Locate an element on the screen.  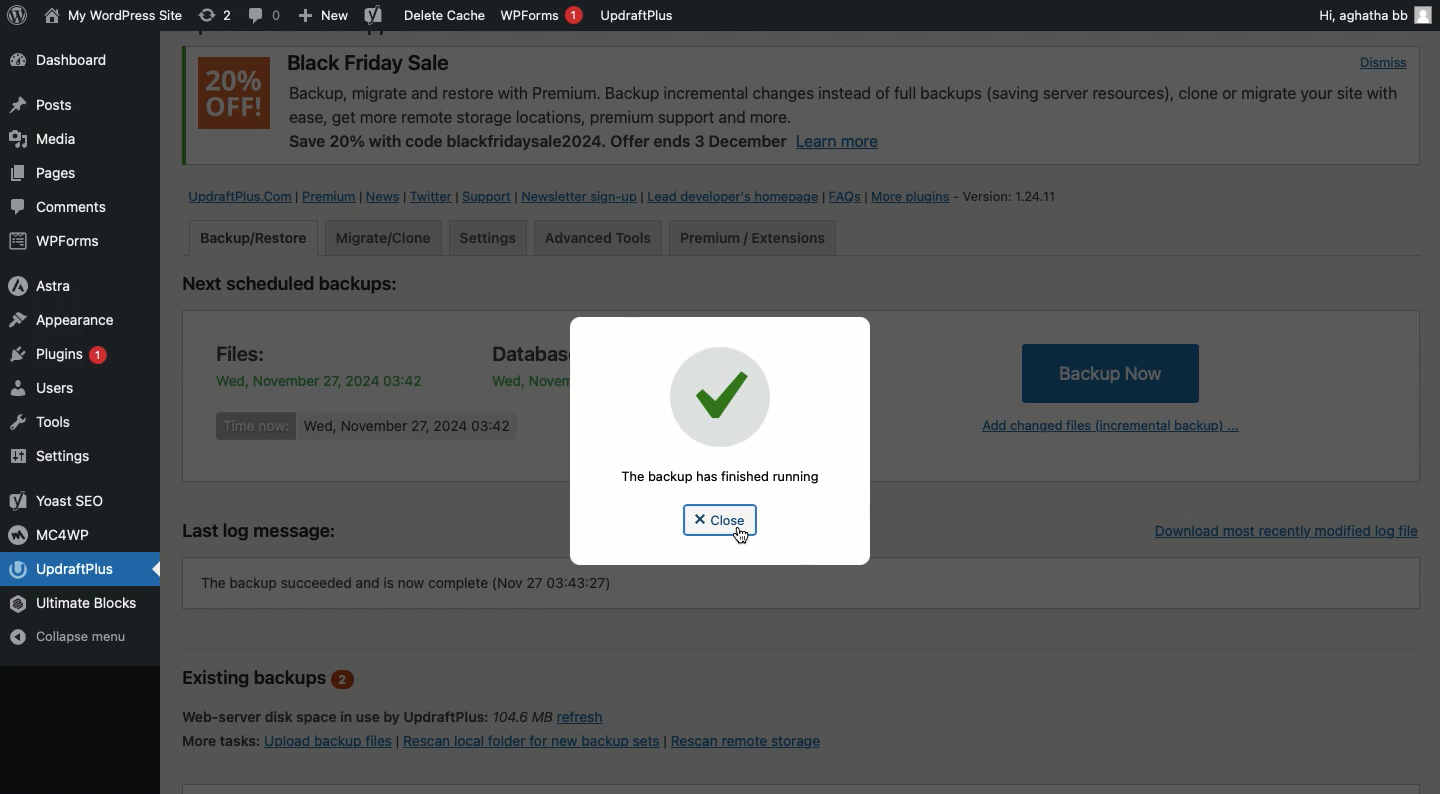
Rescan remote storage is located at coordinates (758, 741).